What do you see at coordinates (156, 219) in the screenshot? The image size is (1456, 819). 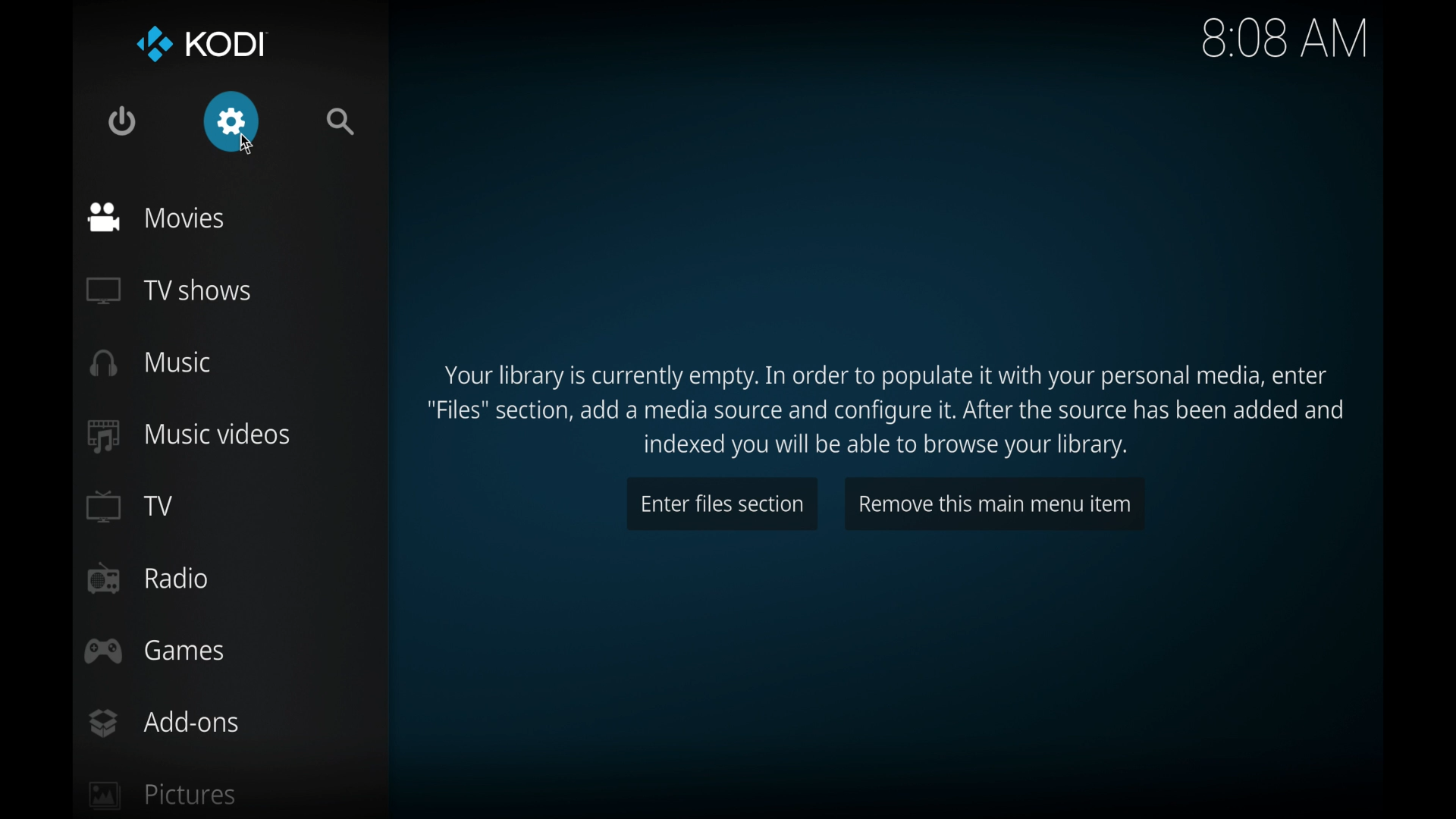 I see `movies` at bounding box center [156, 219].